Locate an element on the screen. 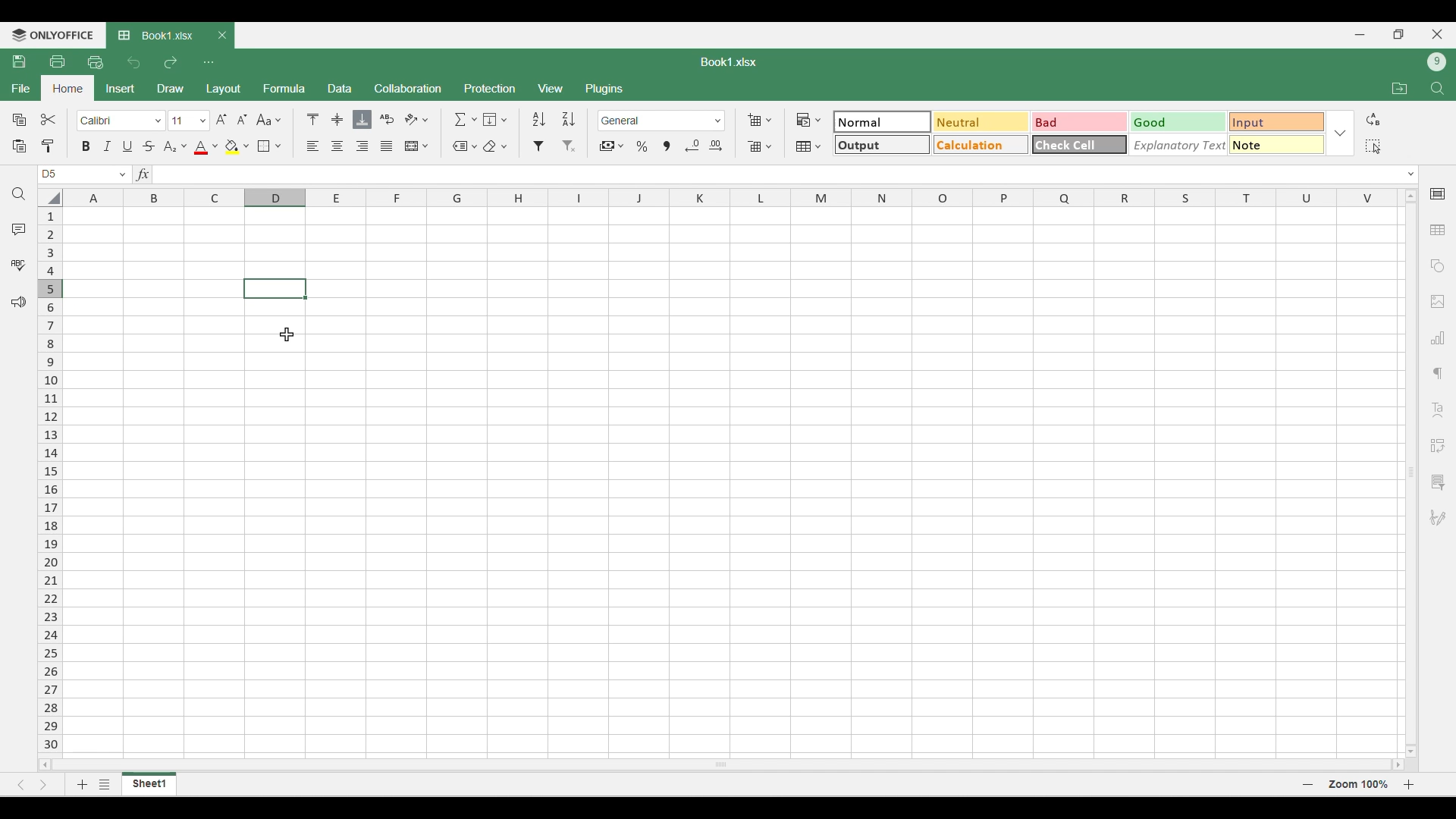  Decrease decimal is located at coordinates (692, 146).